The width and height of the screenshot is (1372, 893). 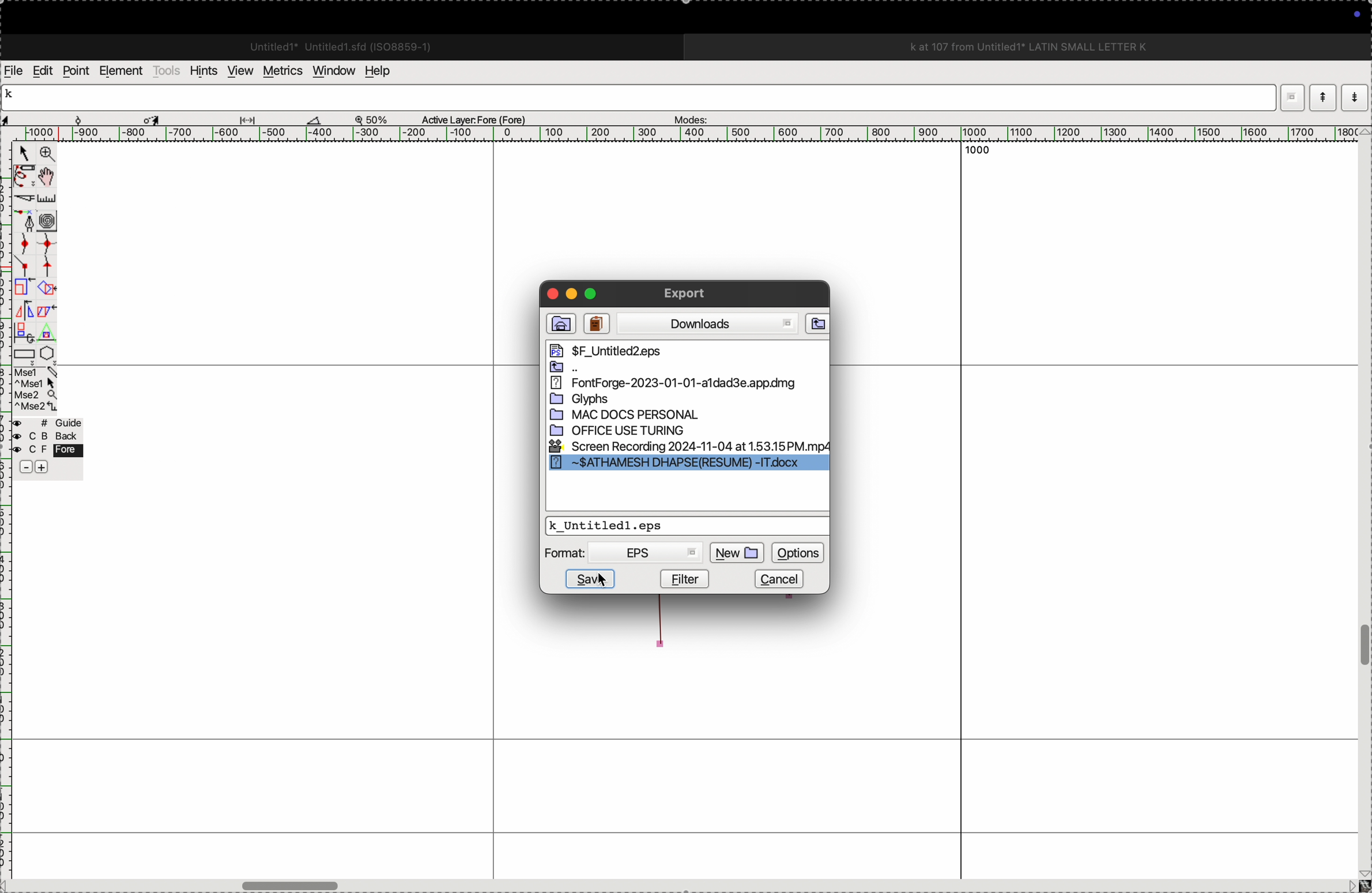 I want to click on format, so click(x=567, y=553).